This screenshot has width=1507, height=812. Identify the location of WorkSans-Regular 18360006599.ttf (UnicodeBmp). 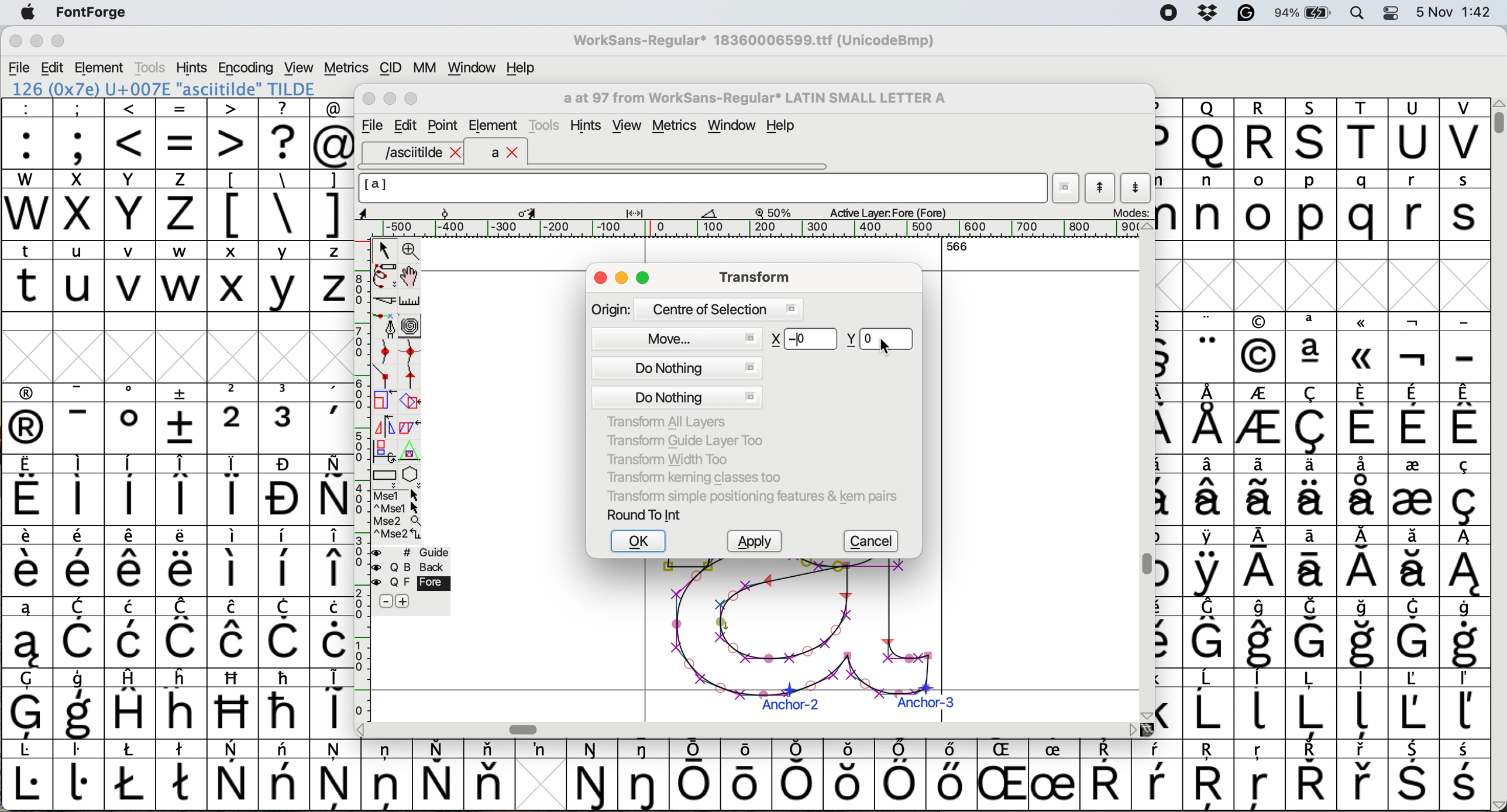
(754, 43).